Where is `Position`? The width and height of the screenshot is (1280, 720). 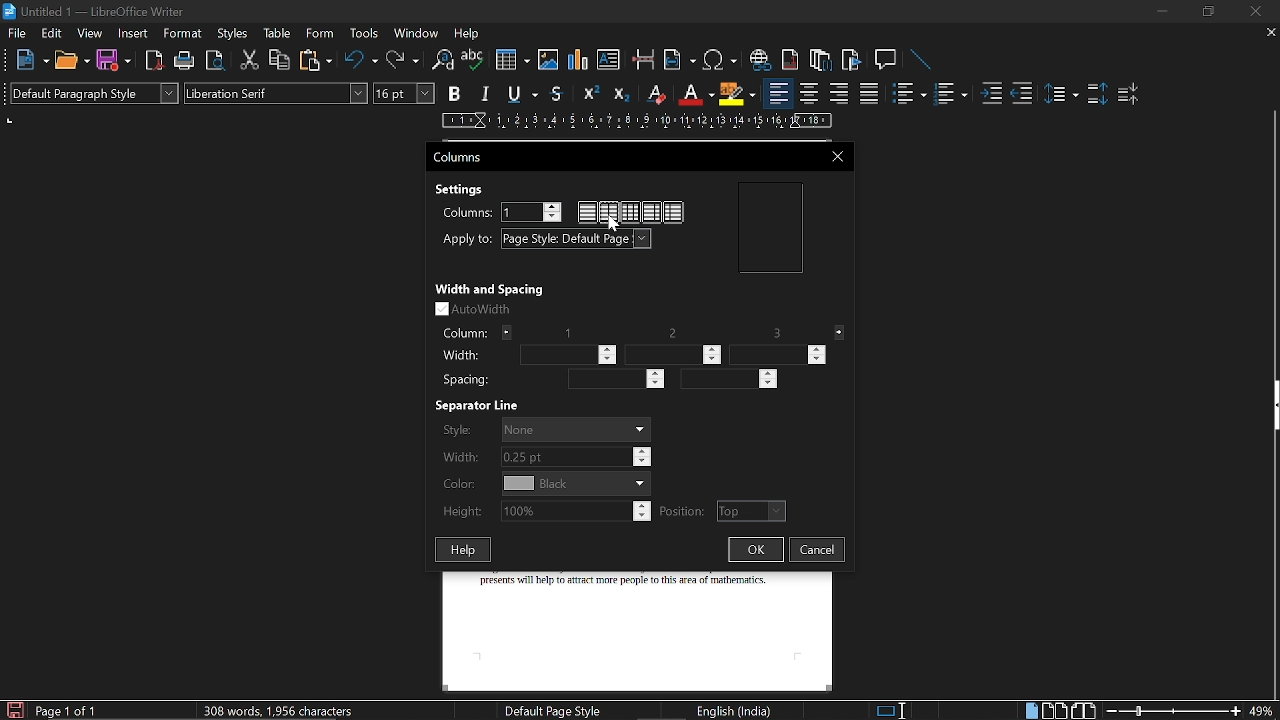
Position is located at coordinates (722, 511).